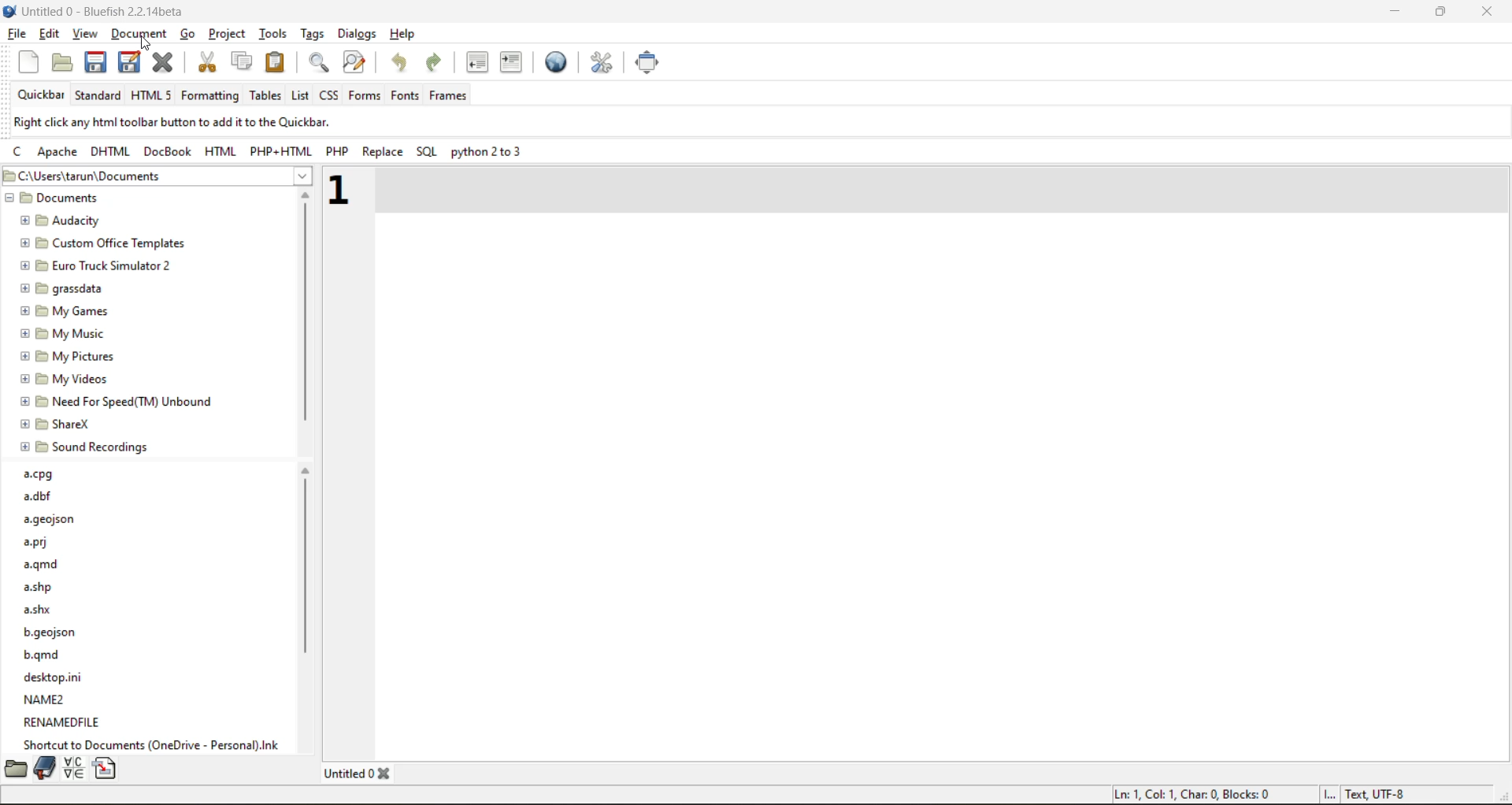 This screenshot has width=1512, height=805. I want to click on custom office templates, so click(104, 243).